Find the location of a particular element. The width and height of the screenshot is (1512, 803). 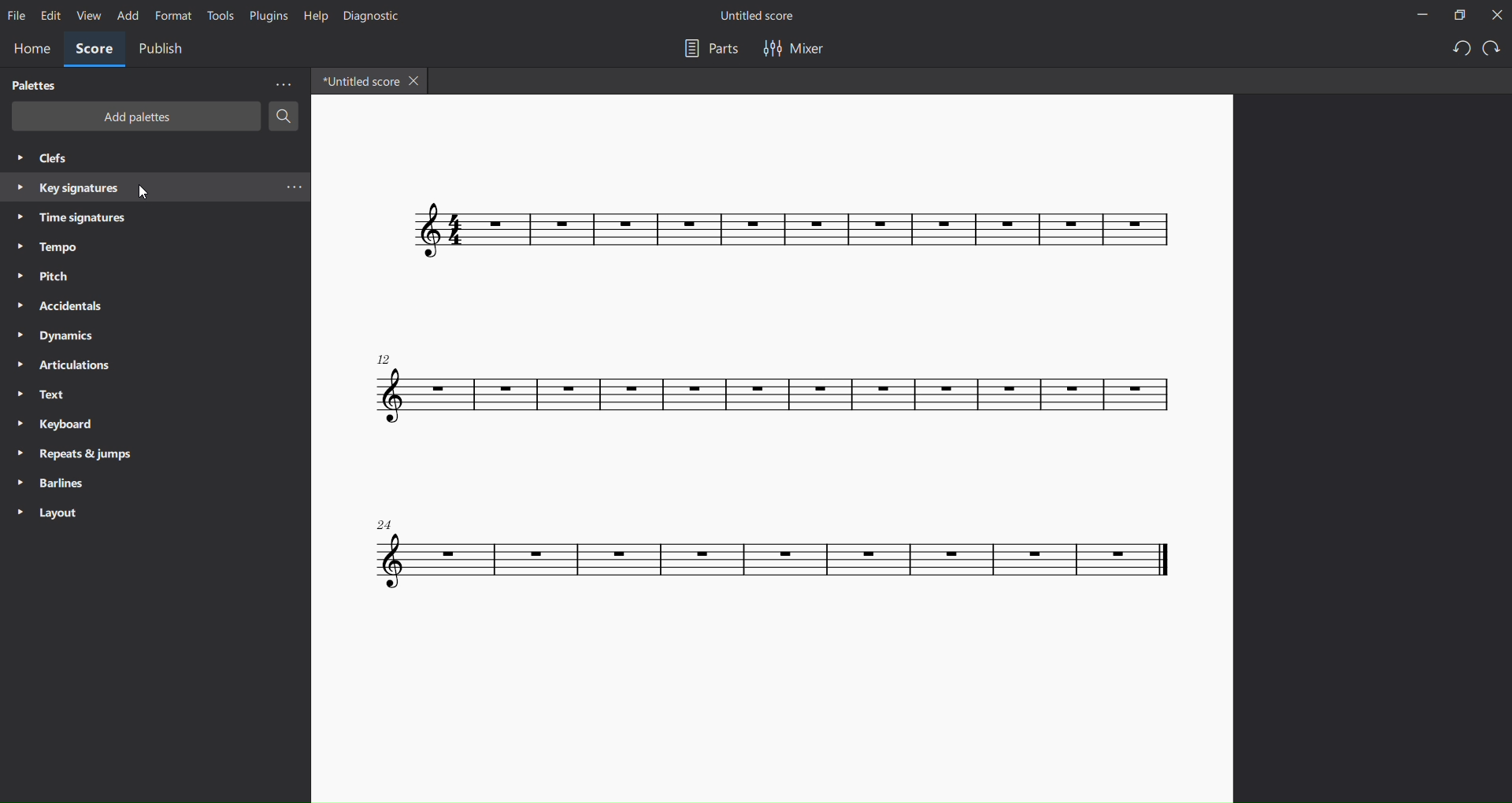

undo is located at coordinates (1458, 50).